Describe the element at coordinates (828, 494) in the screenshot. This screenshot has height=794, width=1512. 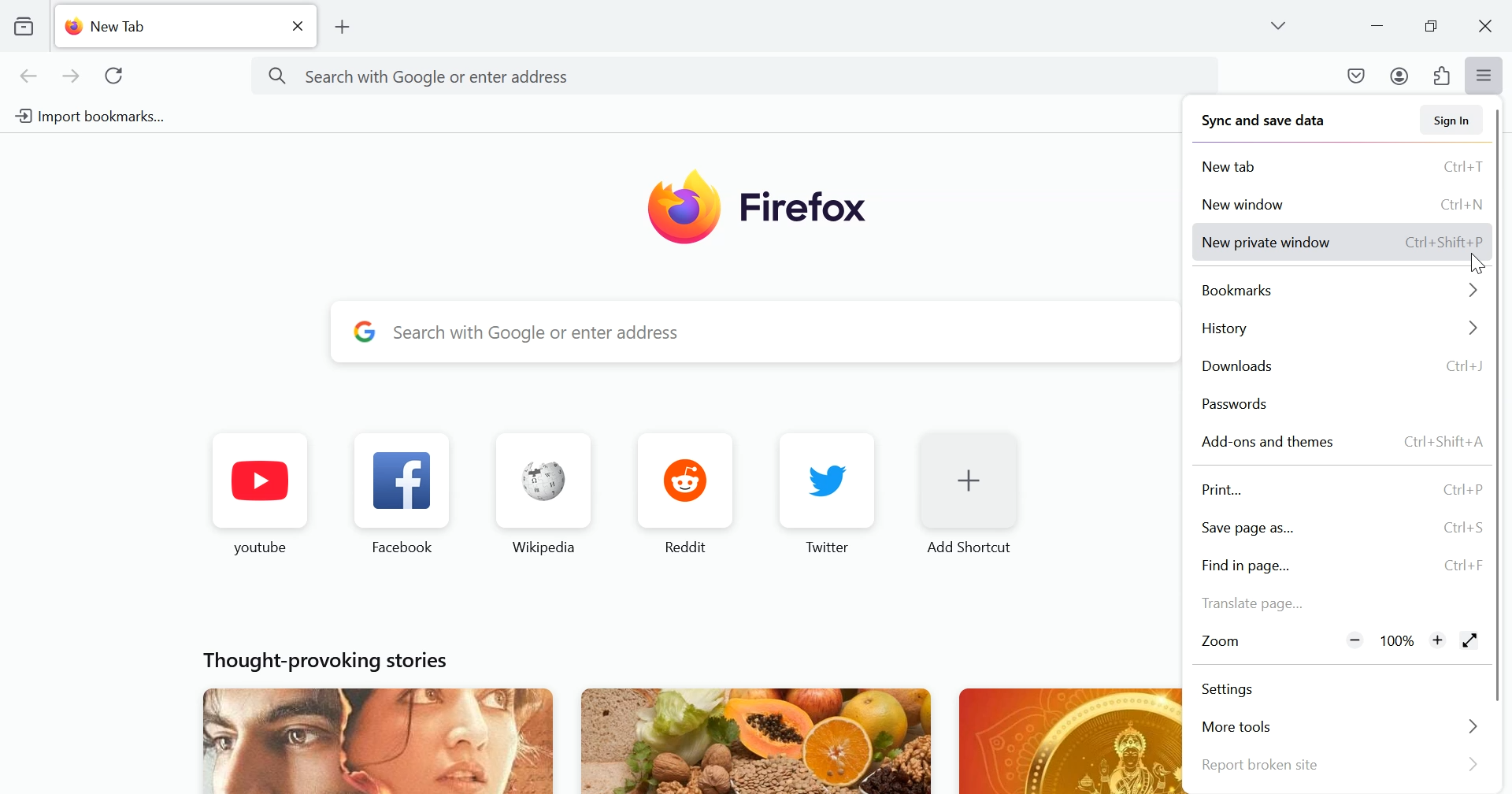
I see `Twitter` at that location.